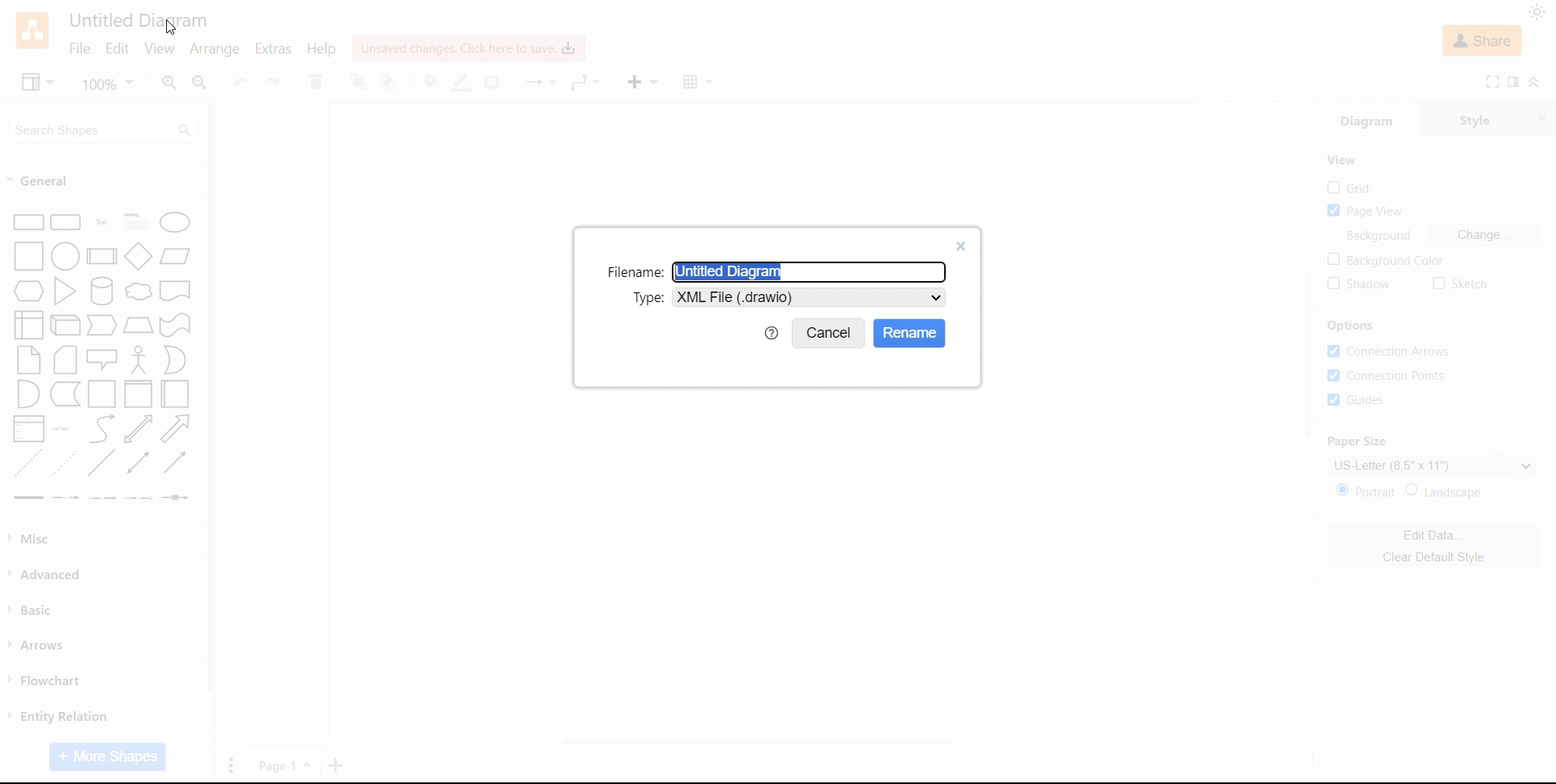 This screenshot has height=784, width=1556. I want to click on Fill colour , so click(430, 82).